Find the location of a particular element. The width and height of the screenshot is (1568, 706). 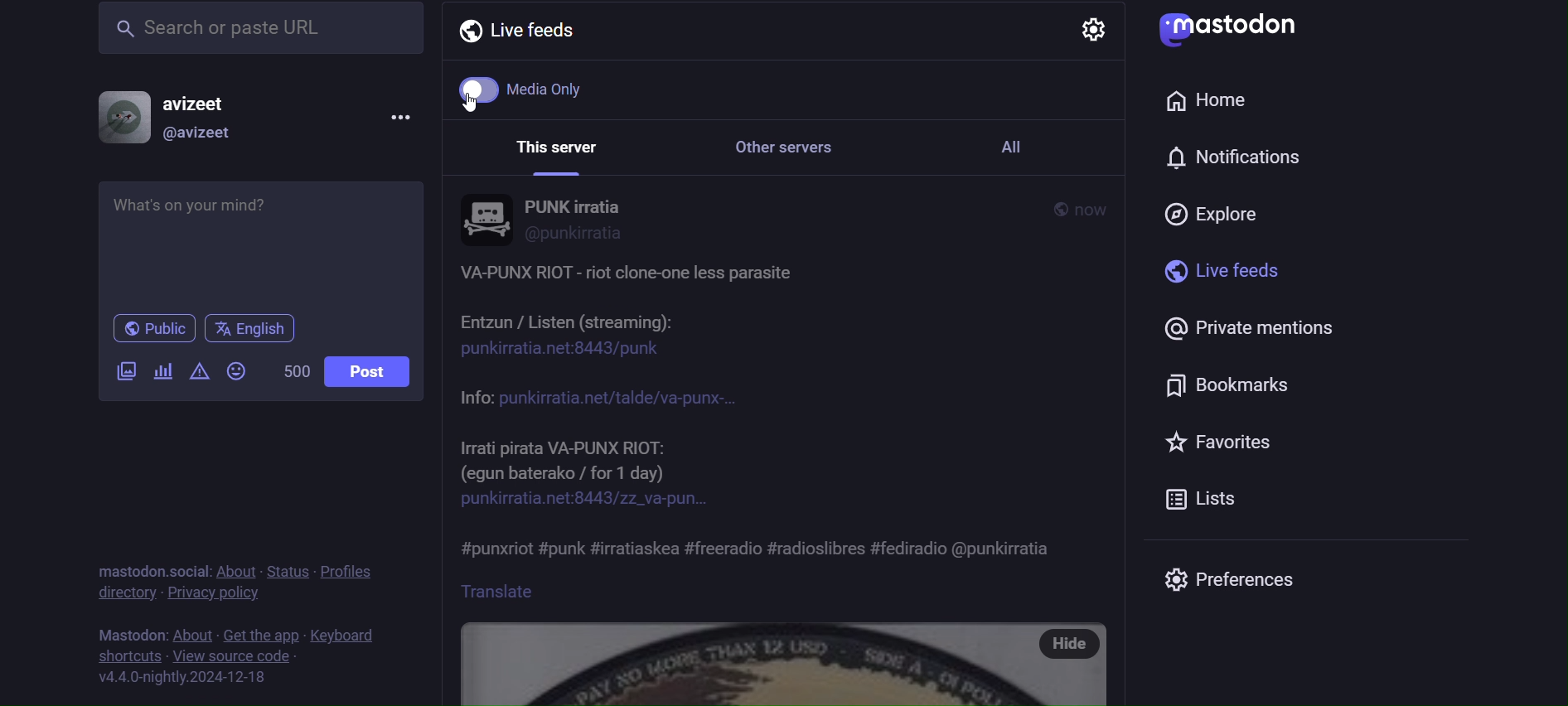

avizeet is located at coordinates (195, 103).